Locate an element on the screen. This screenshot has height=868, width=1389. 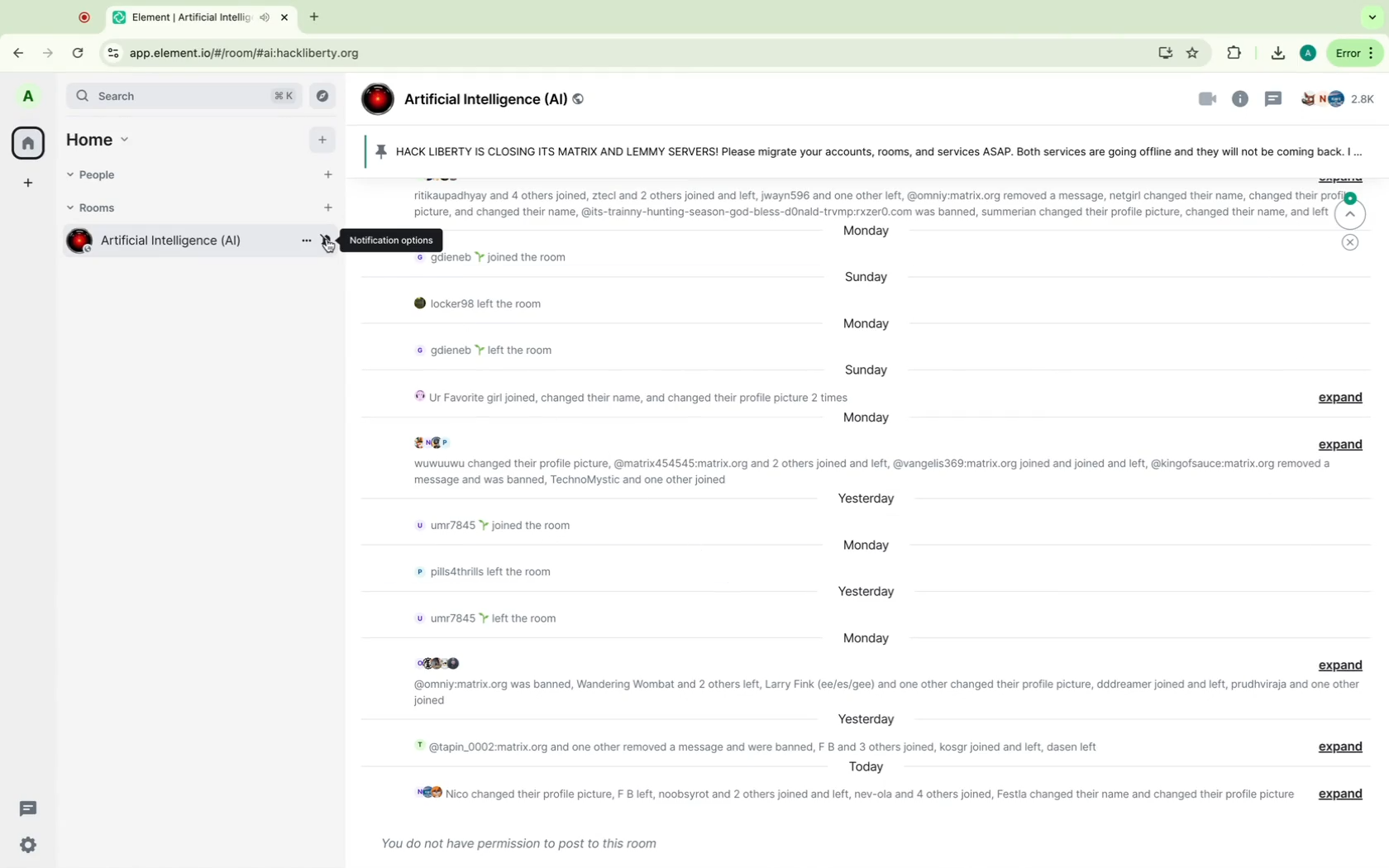
rooms is located at coordinates (107, 209).